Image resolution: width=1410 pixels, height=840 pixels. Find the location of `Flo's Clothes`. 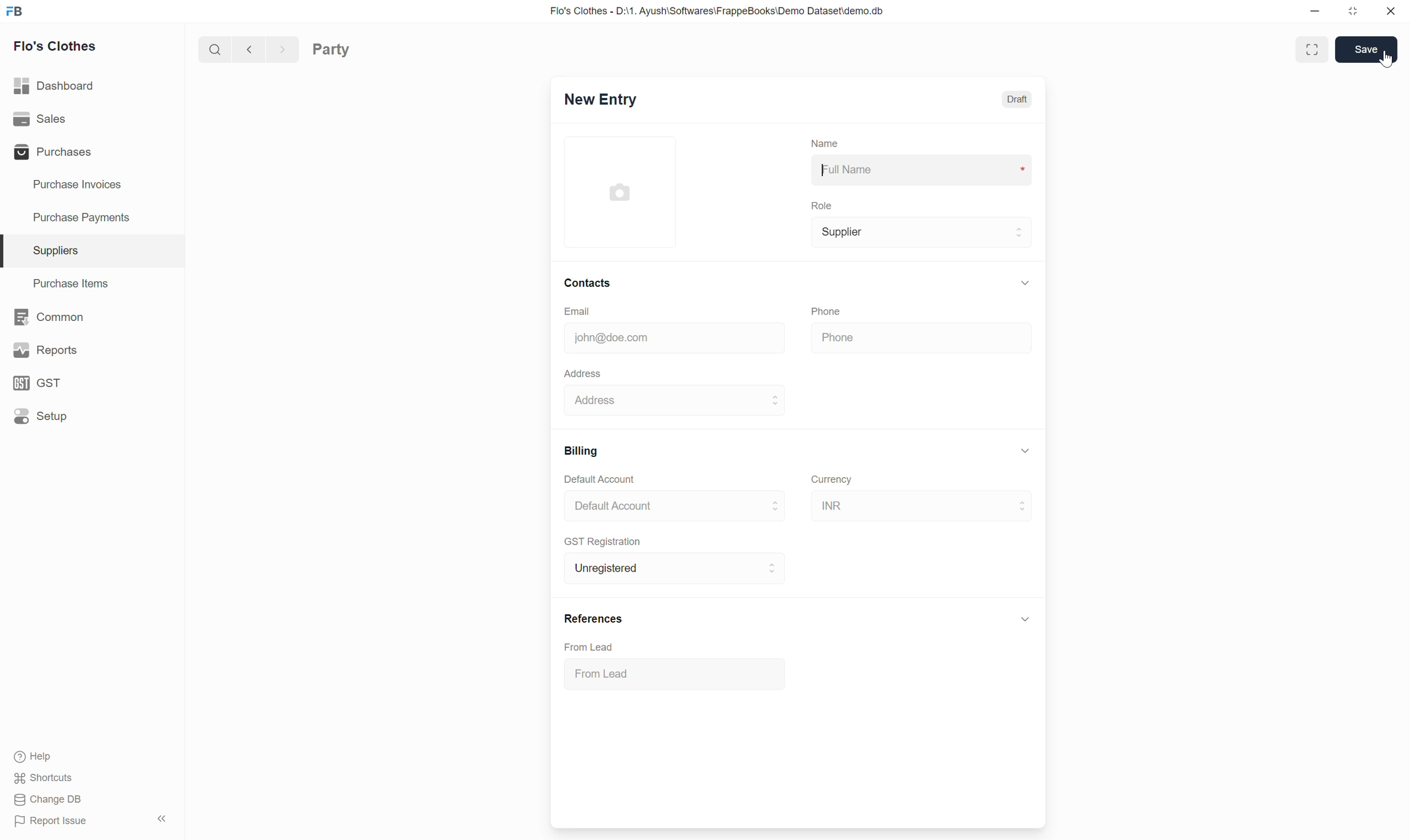

Flo's Clothes is located at coordinates (55, 45).